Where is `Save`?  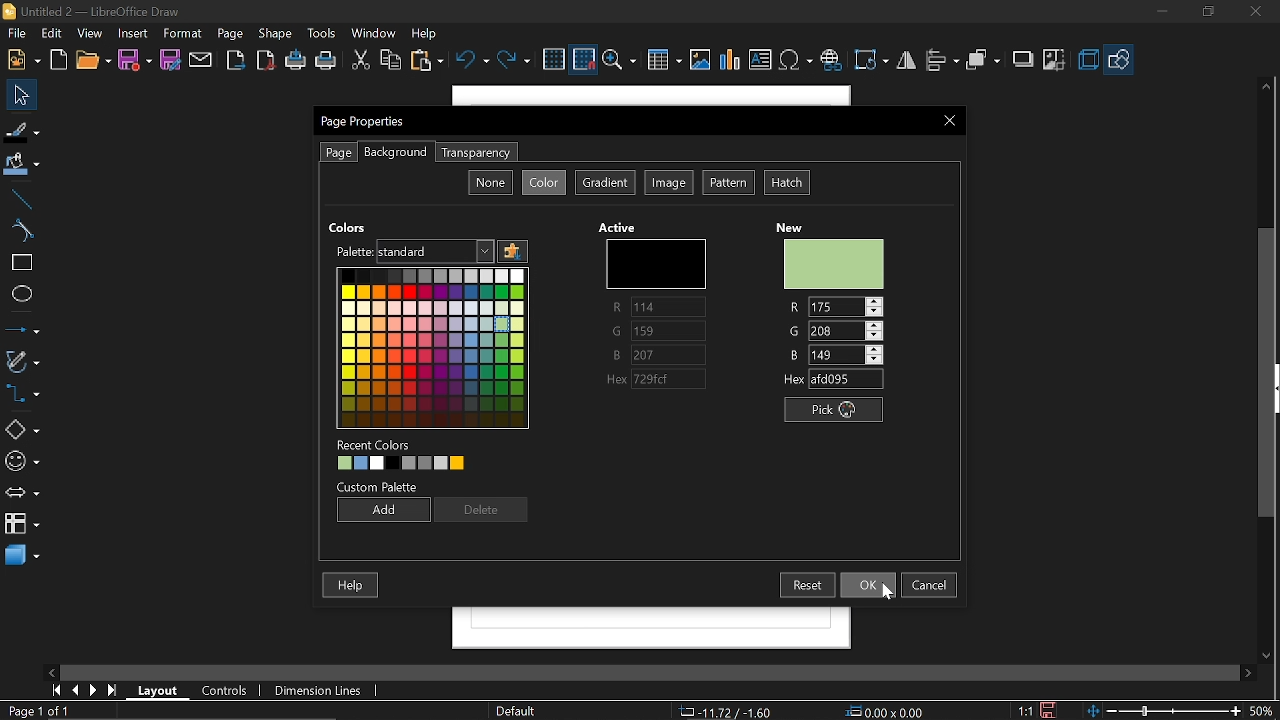
Save is located at coordinates (134, 61).